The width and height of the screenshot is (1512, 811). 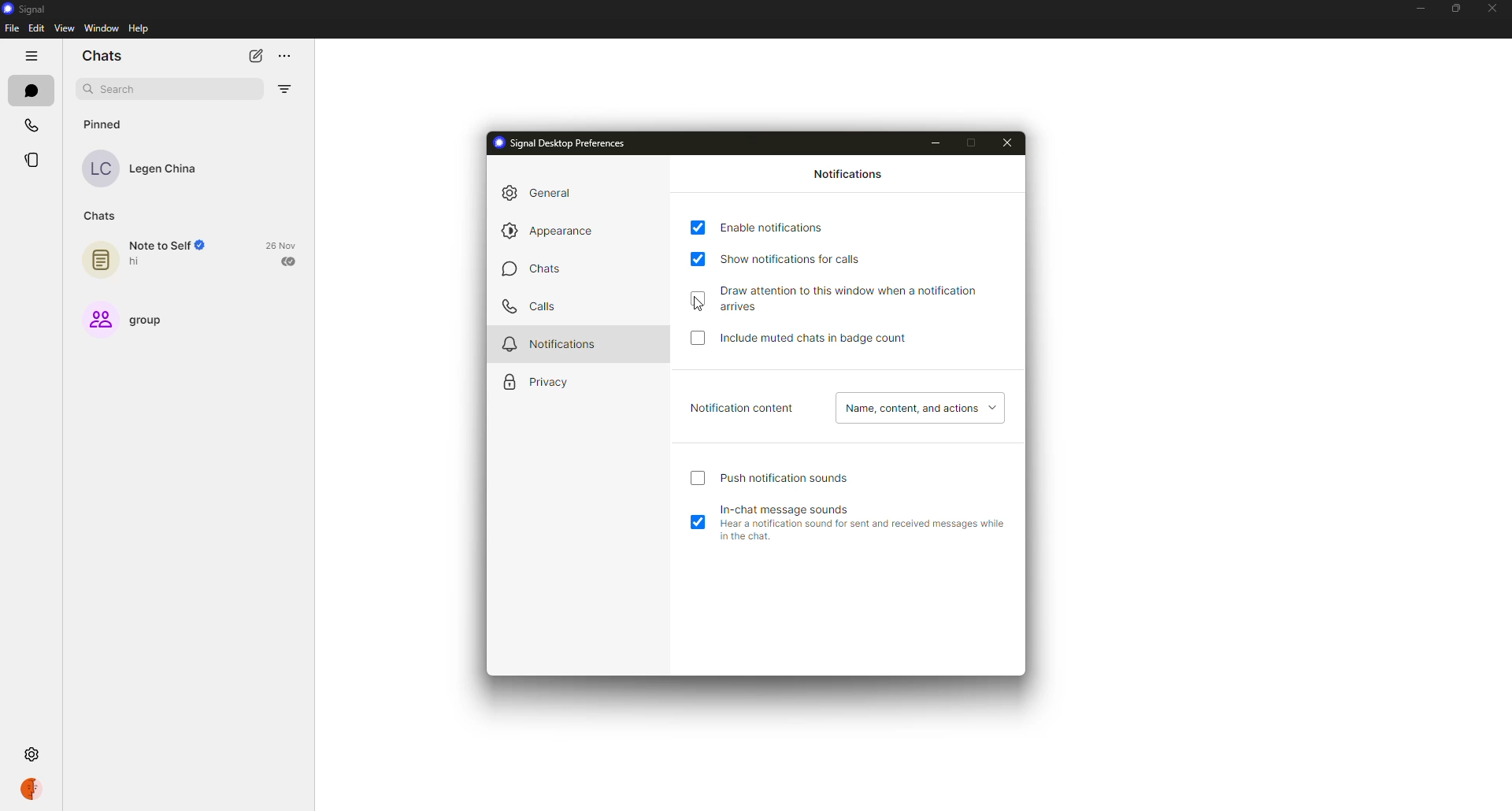 I want to click on notification  content, so click(x=743, y=409).